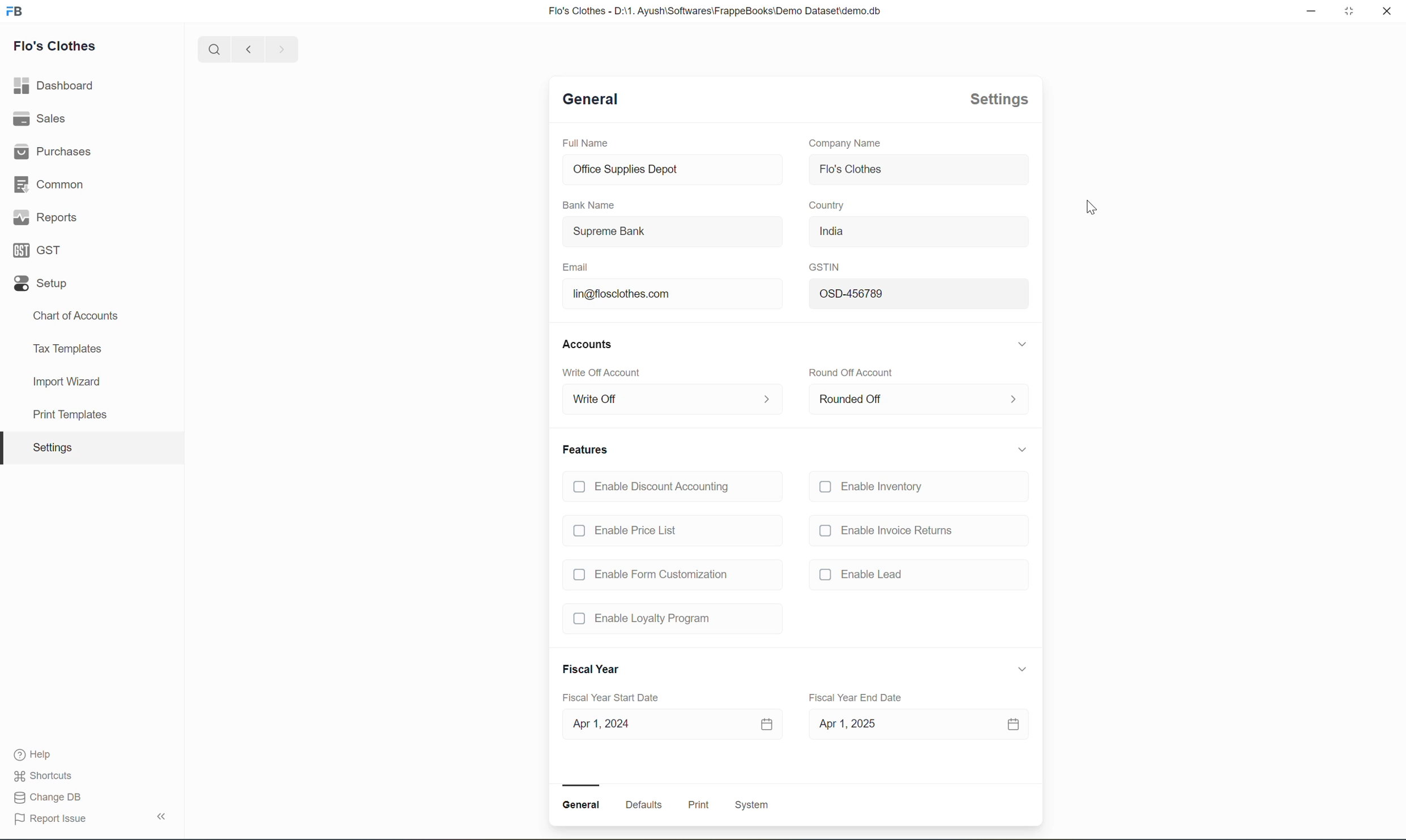 This screenshot has height=840, width=1406. What do you see at coordinates (1349, 10) in the screenshot?
I see `maximize` at bounding box center [1349, 10].